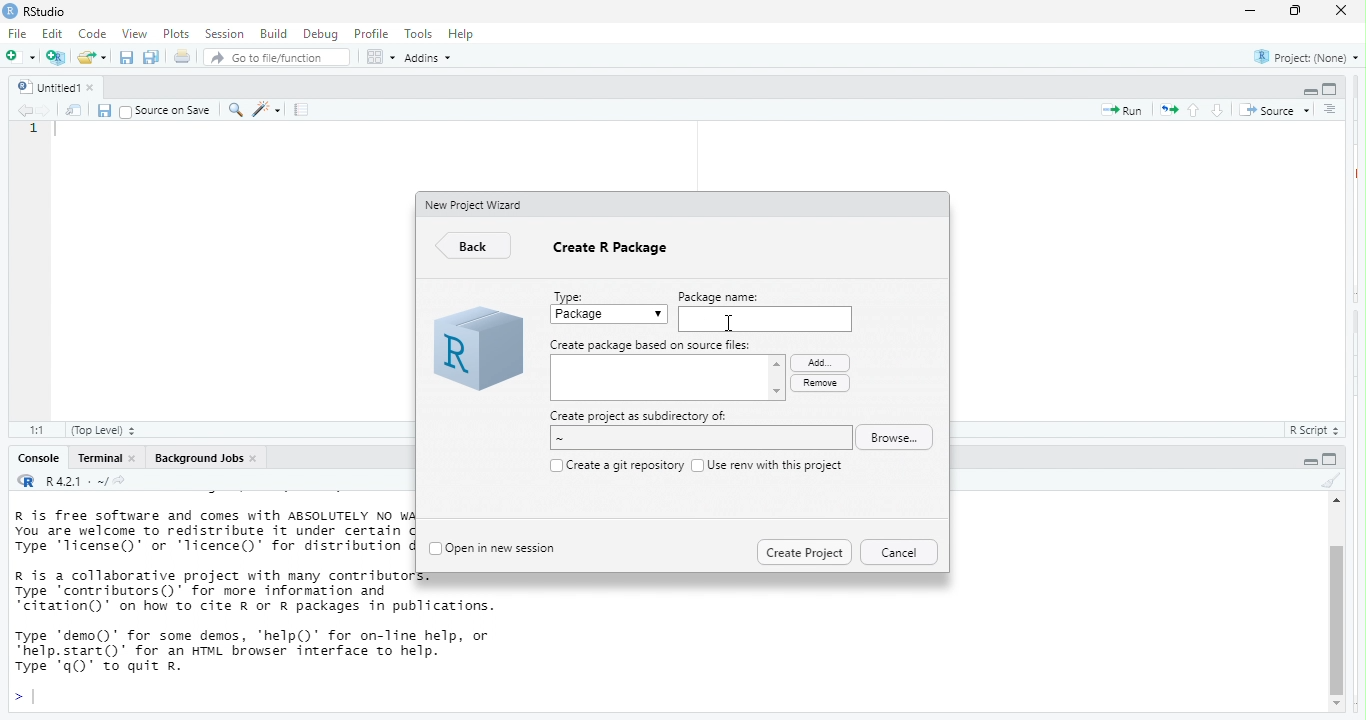 The height and width of the screenshot is (720, 1366). I want to click on  Go to fie/function, so click(277, 58).